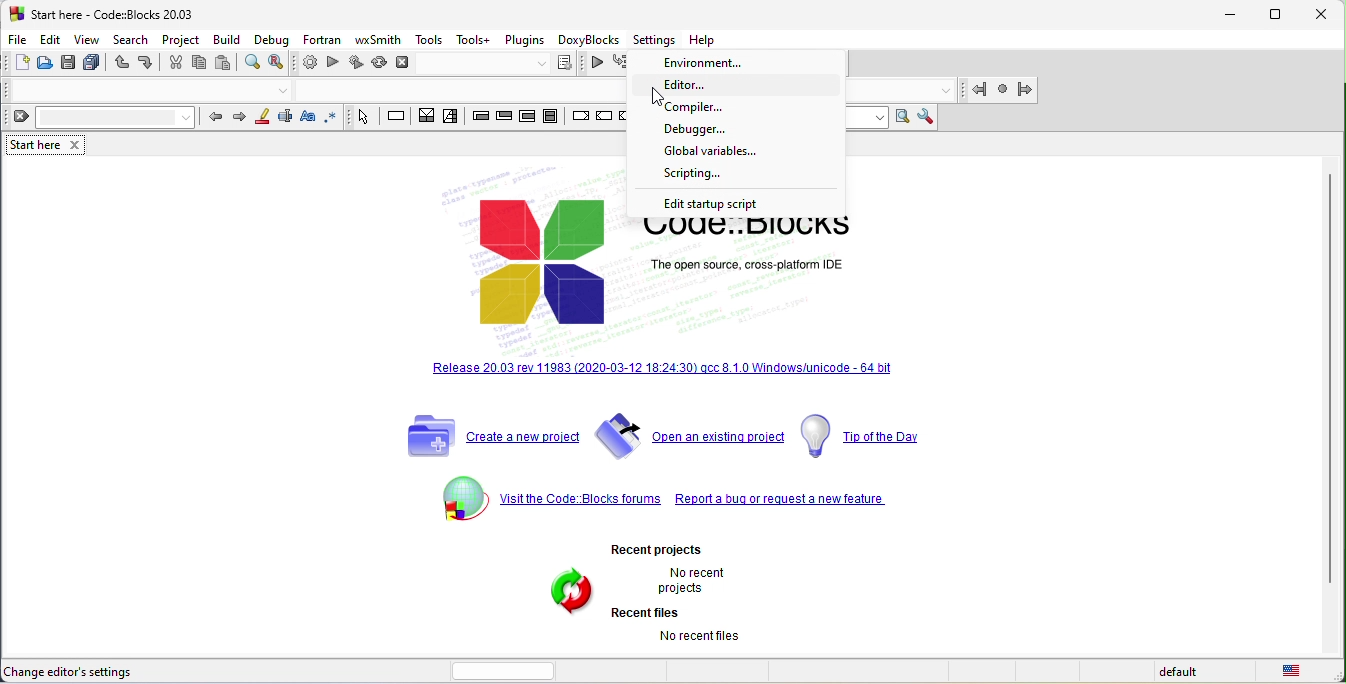 The image size is (1346, 684). What do you see at coordinates (453, 117) in the screenshot?
I see `selection` at bounding box center [453, 117].